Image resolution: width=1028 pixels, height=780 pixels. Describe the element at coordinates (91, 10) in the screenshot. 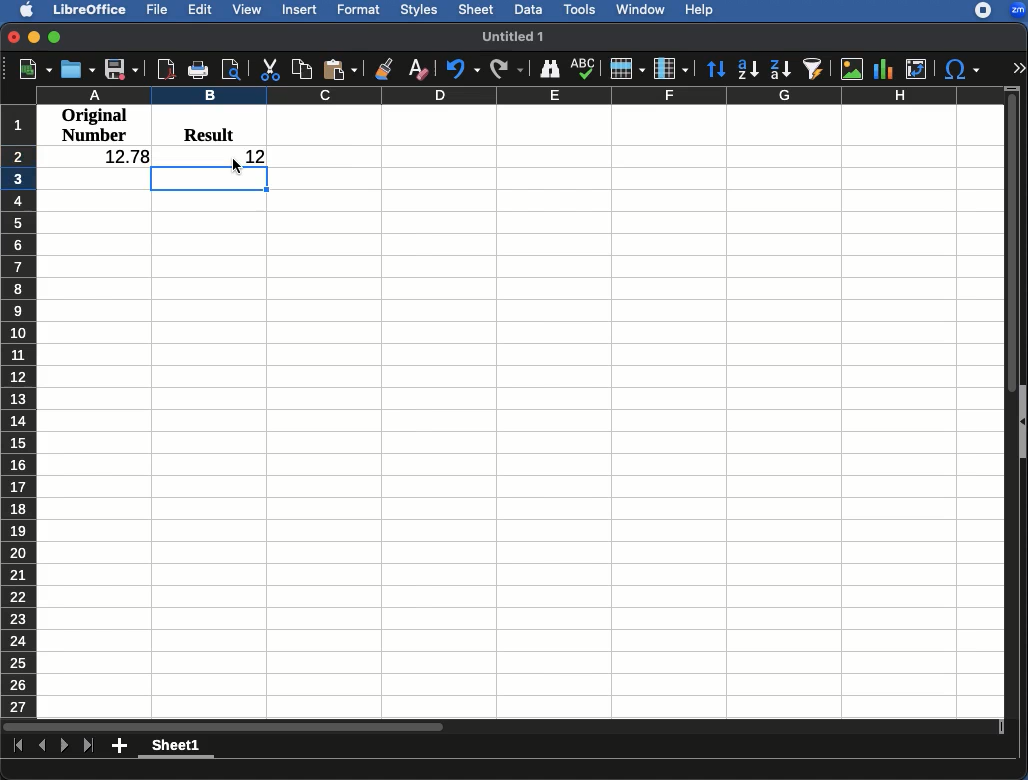

I see `LibreOffice` at that location.